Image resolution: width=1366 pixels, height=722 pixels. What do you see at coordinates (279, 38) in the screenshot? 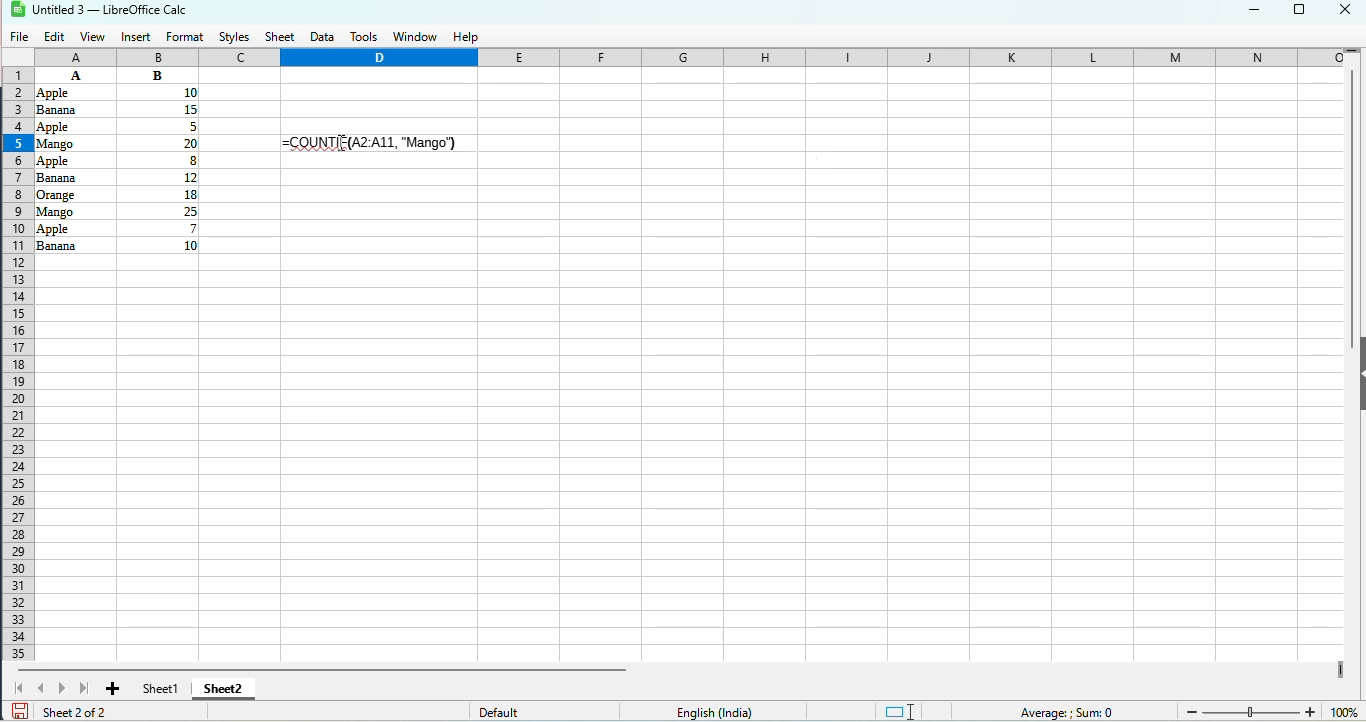
I see `sheet` at bounding box center [279, 38].